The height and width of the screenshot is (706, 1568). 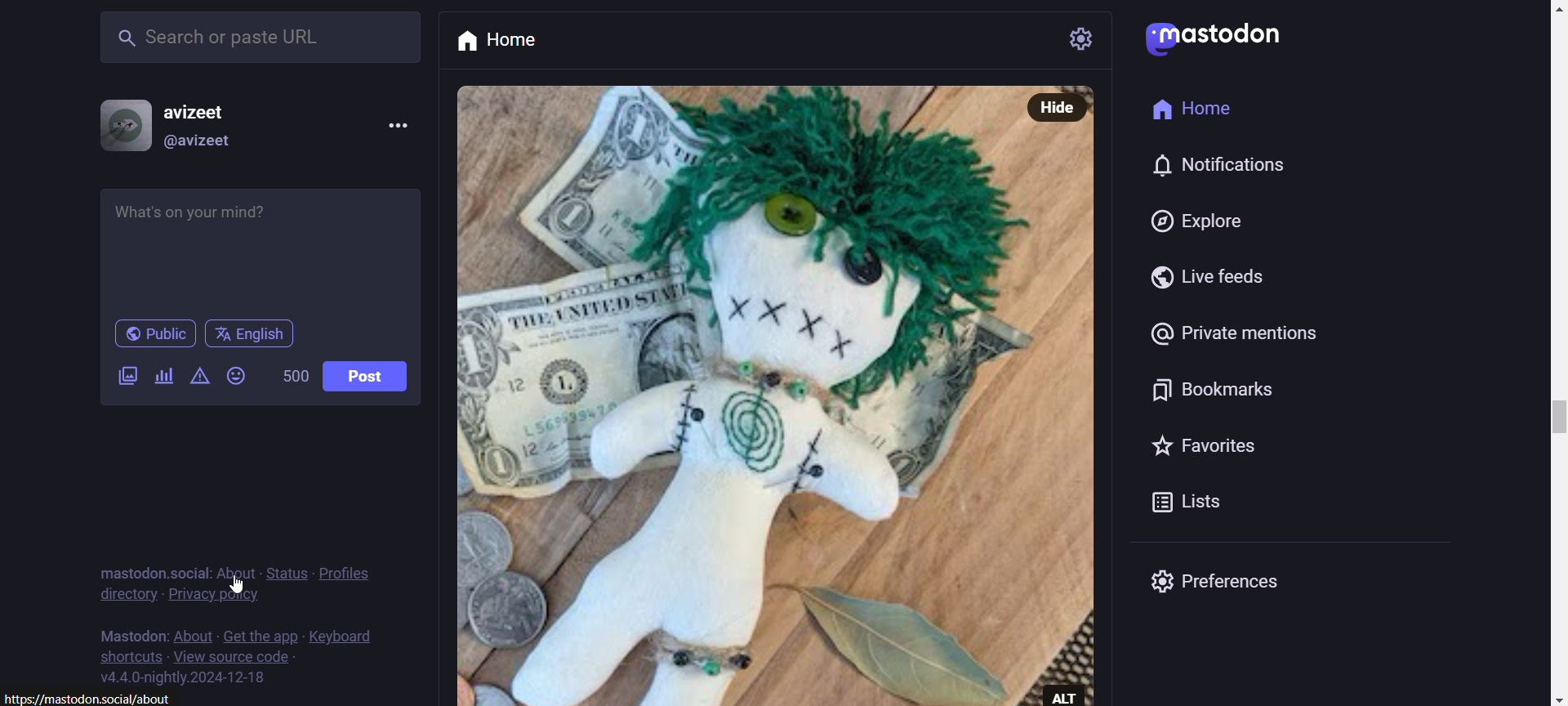 What do you see at coordinates (127, 596) in the screenshot?
I see `directory` at bounding box center [127, 596].